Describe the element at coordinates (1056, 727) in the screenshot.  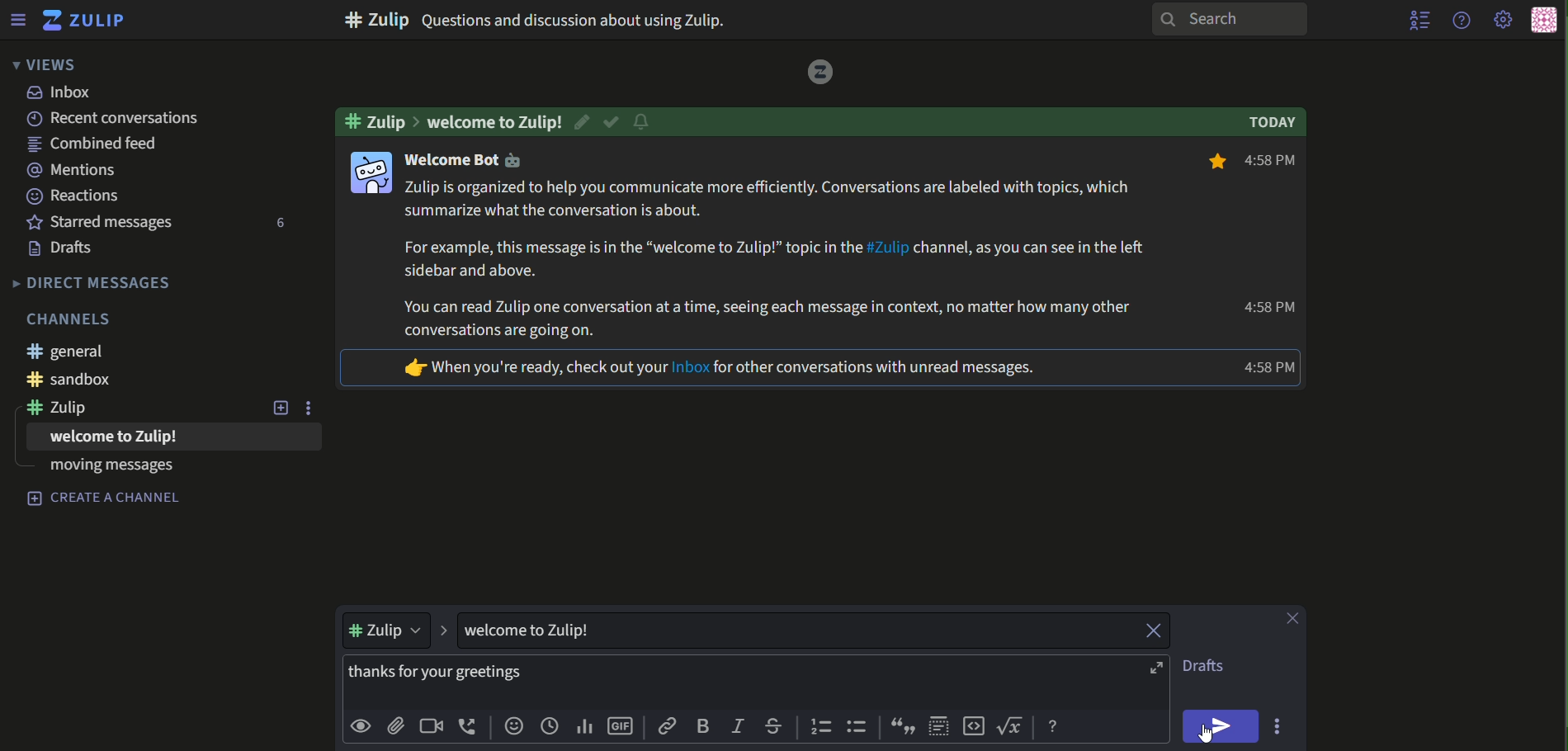
I see `formatting` at that location.